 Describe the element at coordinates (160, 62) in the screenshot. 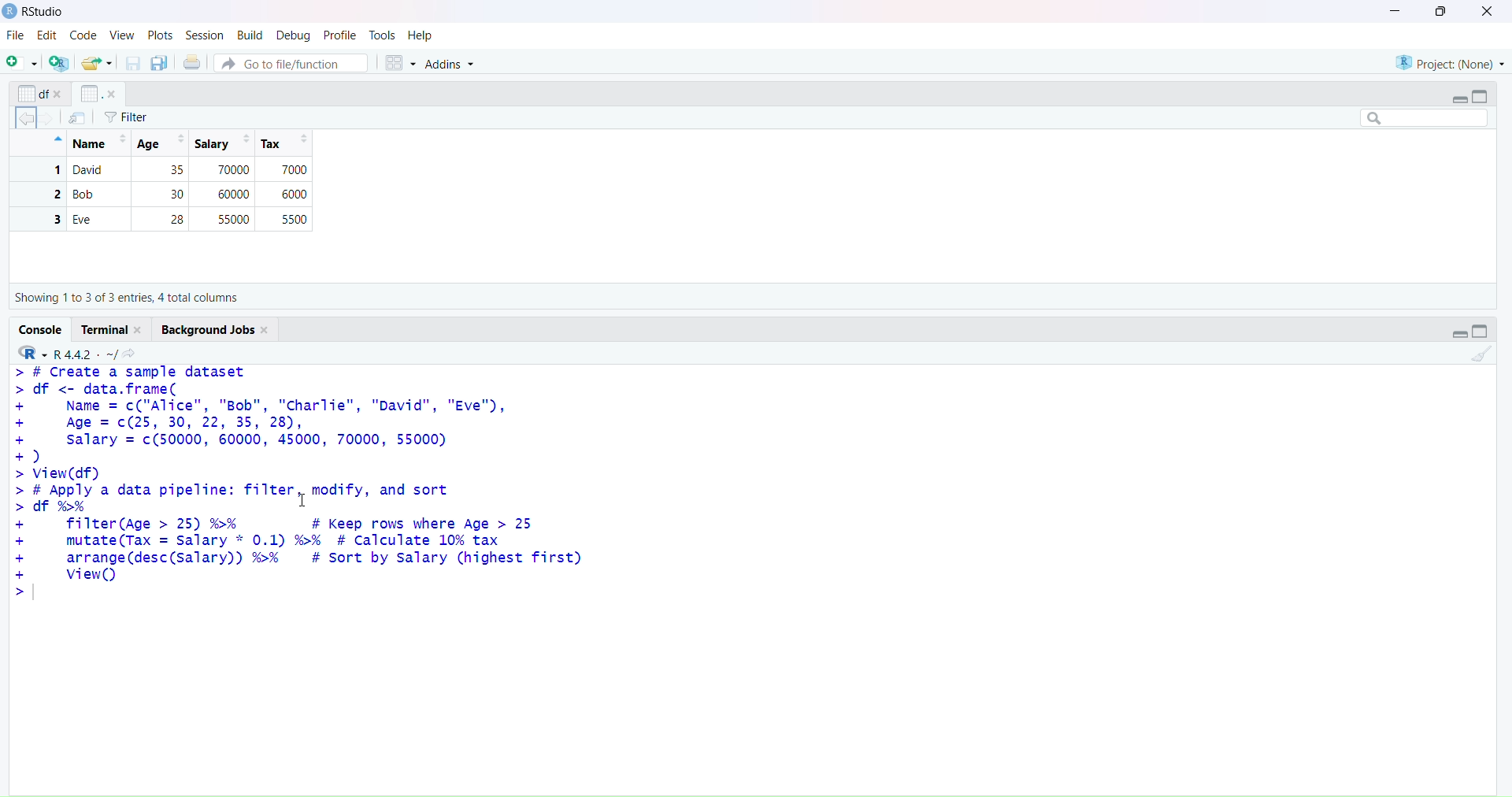

I see `save all open documents` at that location.